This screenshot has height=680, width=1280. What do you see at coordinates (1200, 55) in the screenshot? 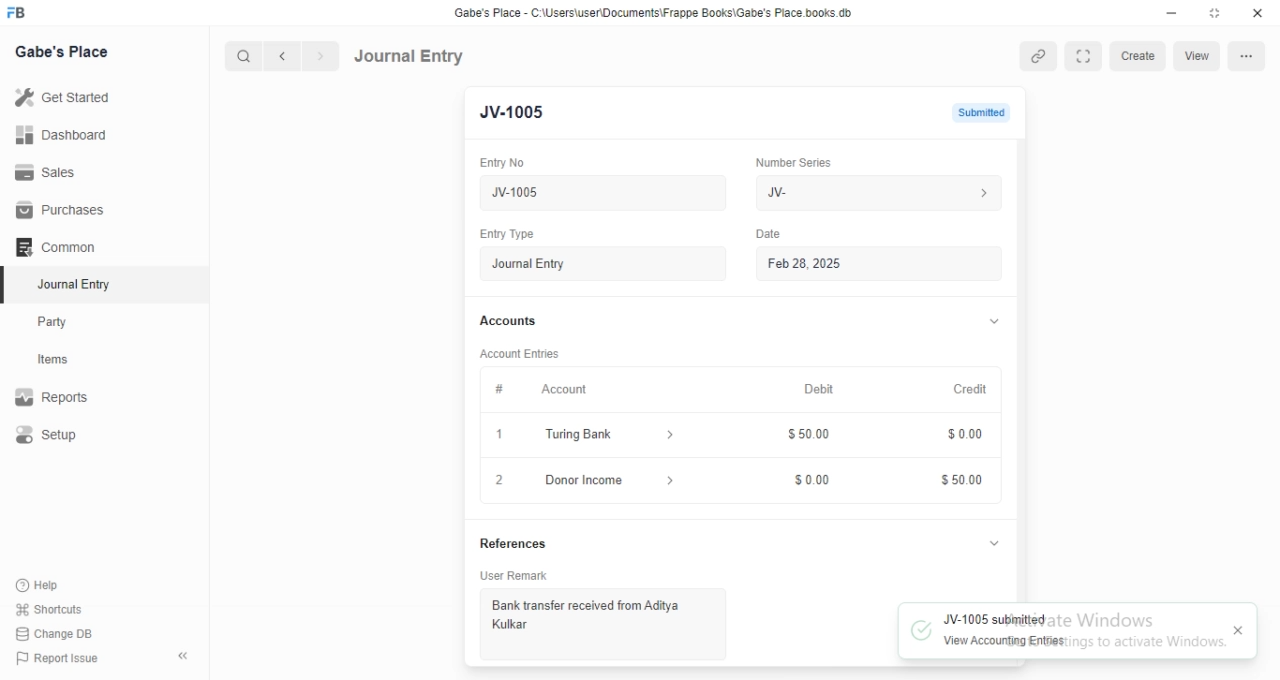
I see `view` at bounding box center [1200, 55].